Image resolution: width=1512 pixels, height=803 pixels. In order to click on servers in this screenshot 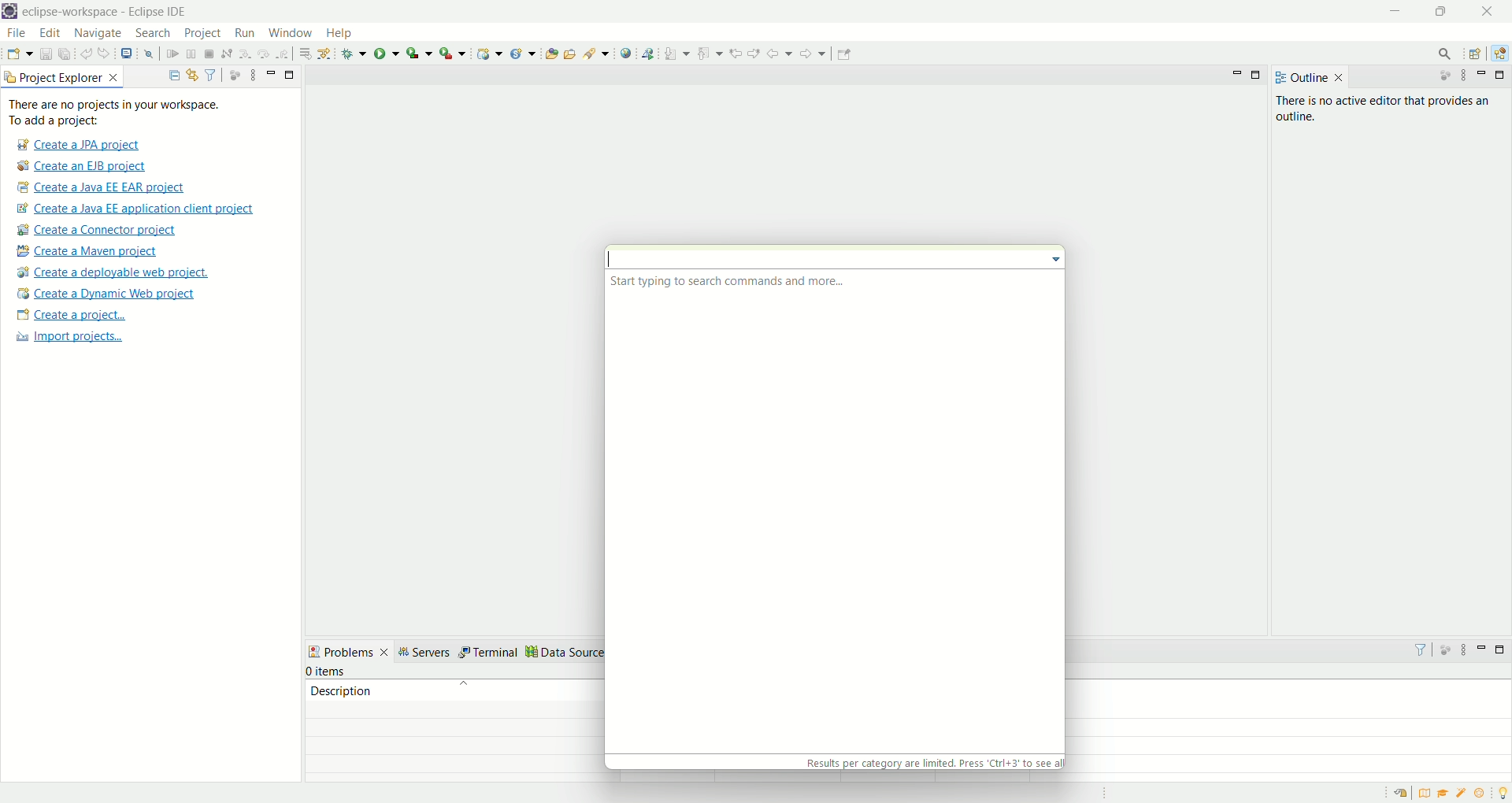, I will do `click(427, 652)`.